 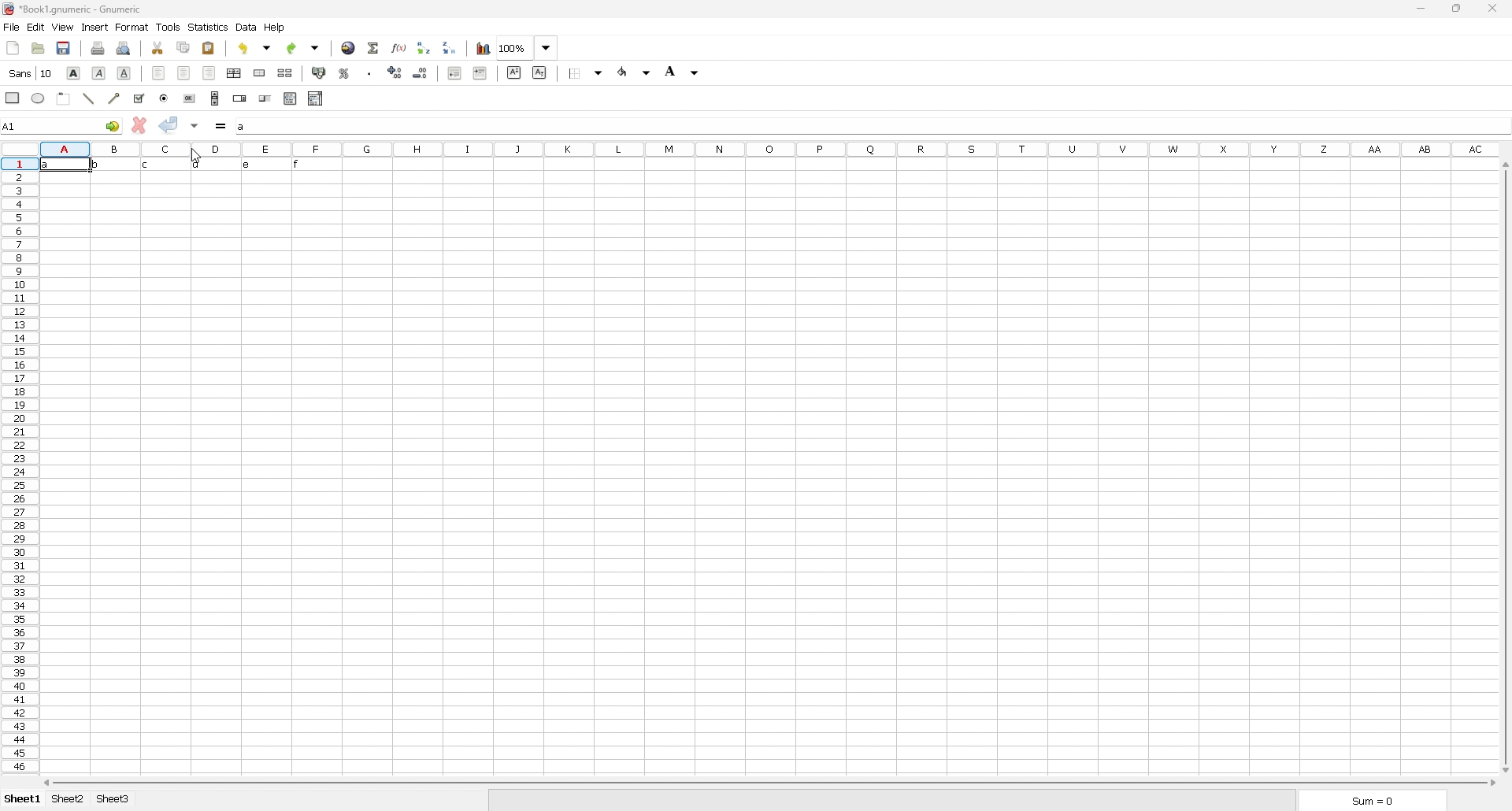 What do you see at coordinates (320, 72) in the screenshot?
I see `accounting` at bounding box center [320, 72].